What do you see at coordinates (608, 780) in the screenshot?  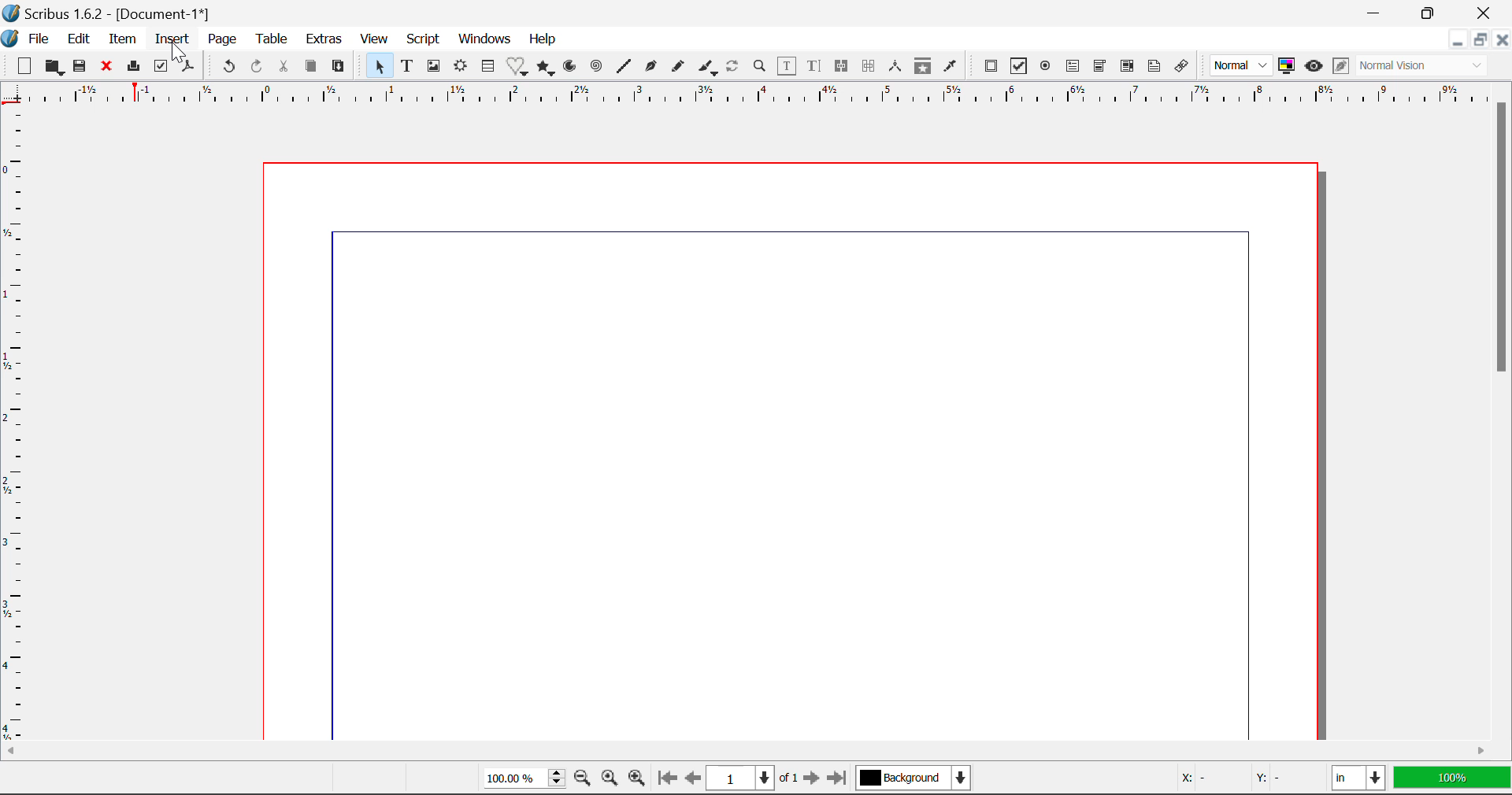 I see `Zoom to 100%` at bounding box center [608, 780].